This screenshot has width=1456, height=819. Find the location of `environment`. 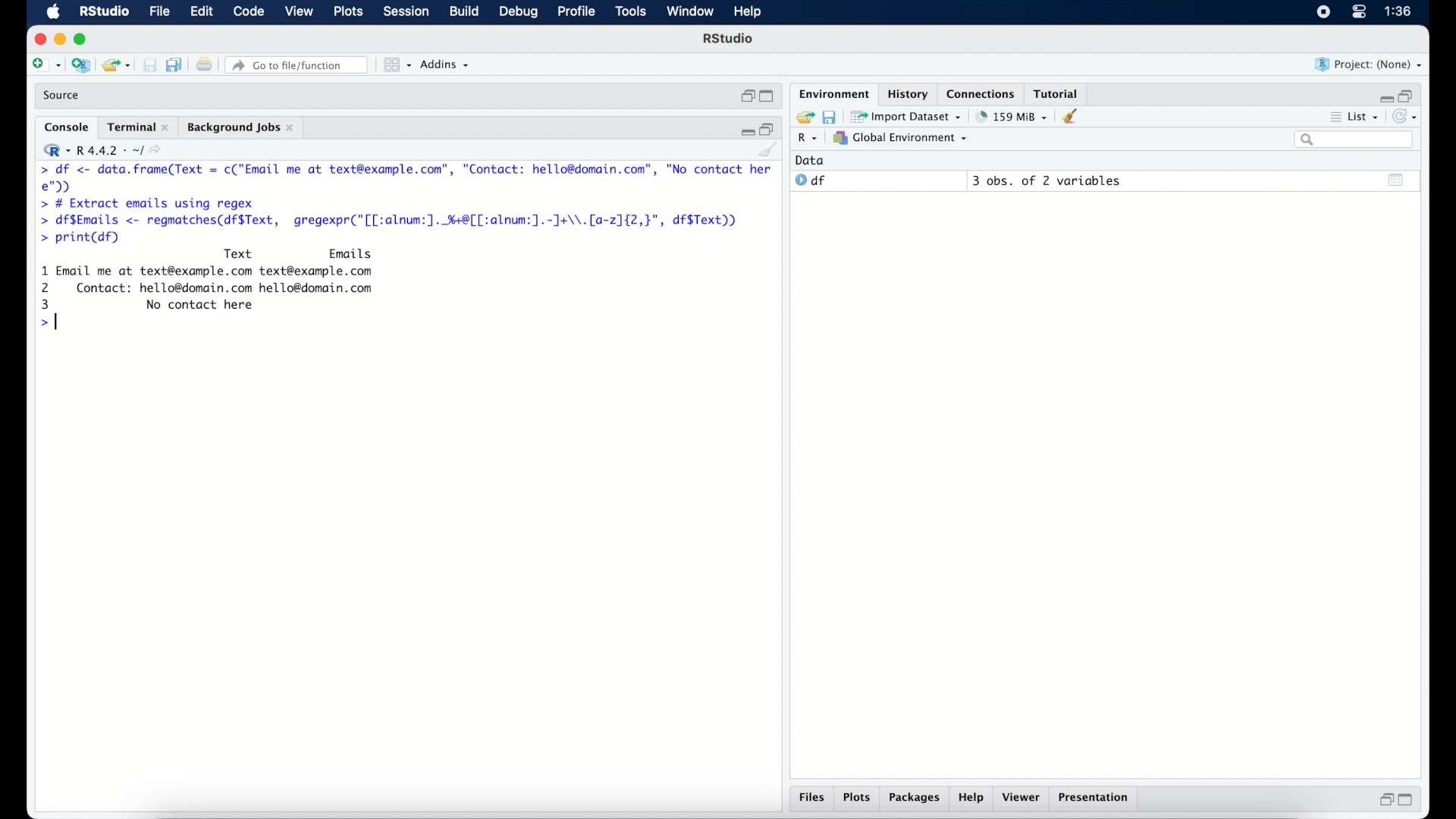

environment is located at coordinates (833, 93).